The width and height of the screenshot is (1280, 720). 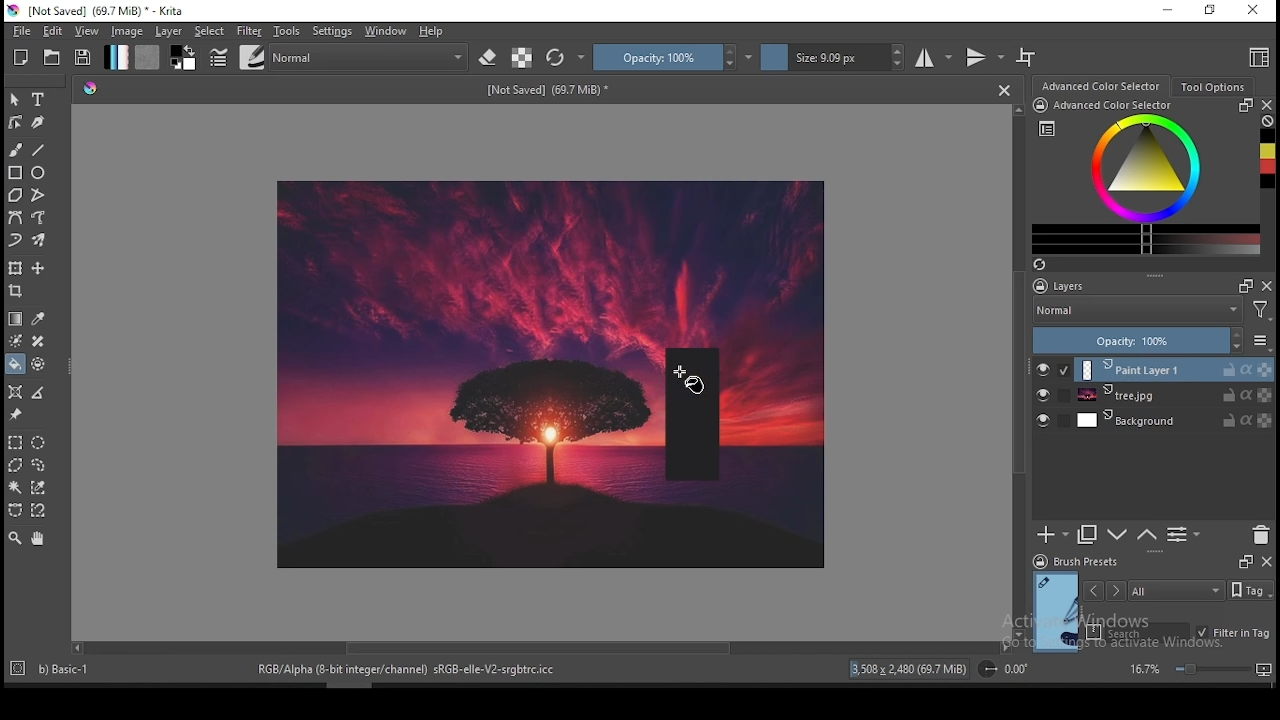 What do you see at coordinates (16, 318) in the screenshot?
I see `gradient tool` at bounding box center [16, 318].